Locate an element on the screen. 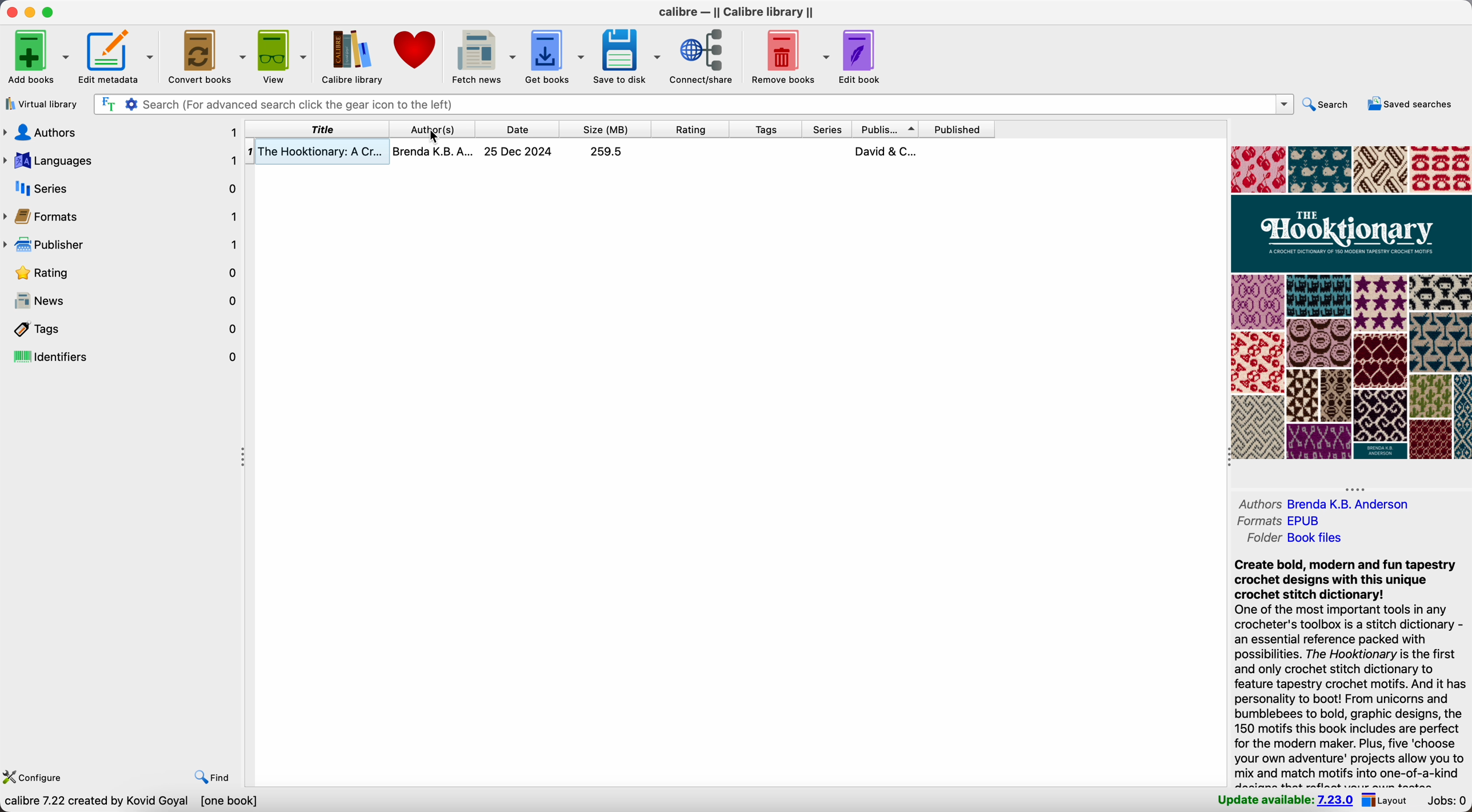 This screenshot has width=1472, height=812. find is located at coordinates (209, 776).